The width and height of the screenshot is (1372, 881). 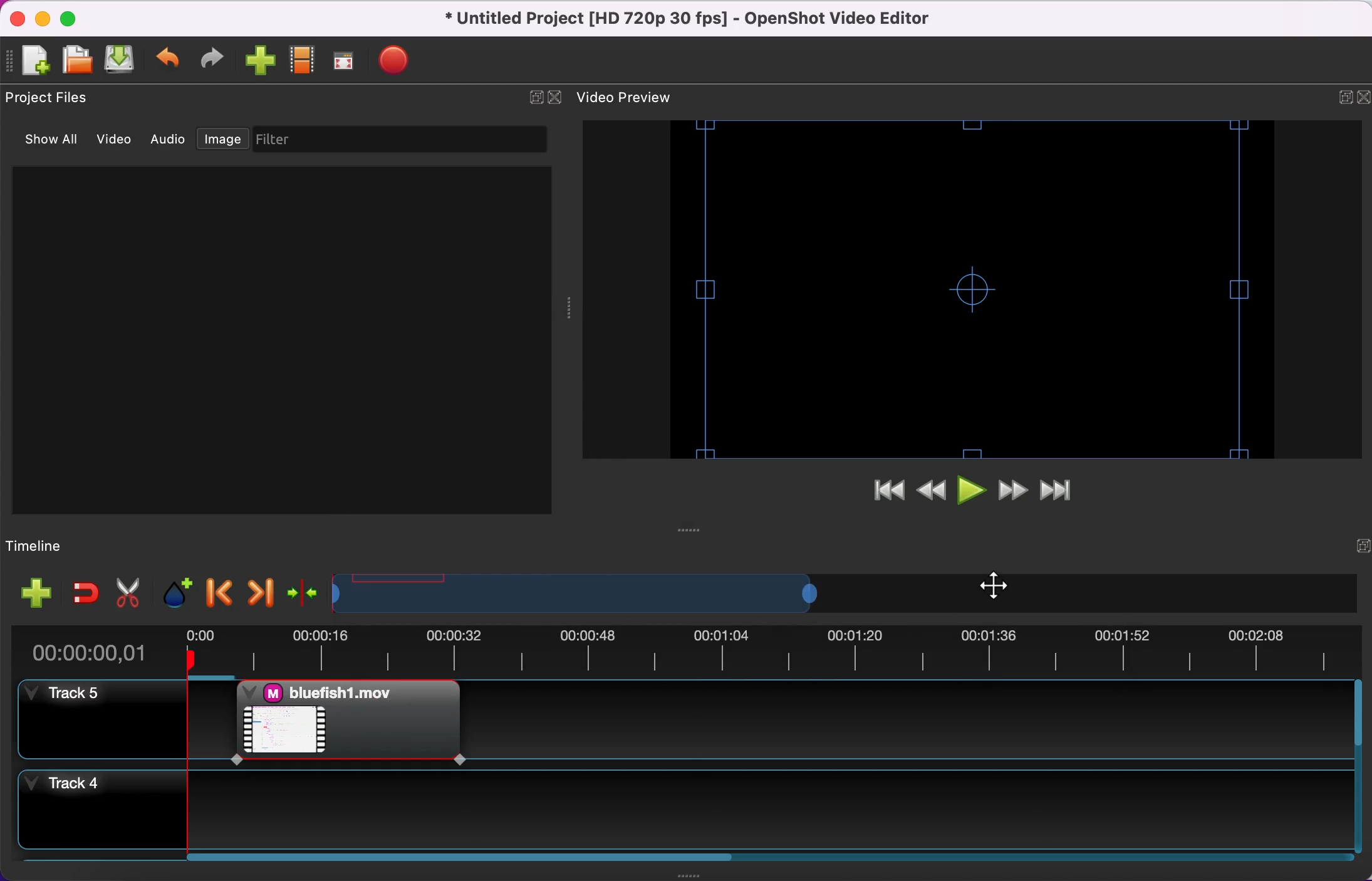 What do you see at coordinates (1333, 98) in the screenshot?
I see `expand/hide` at bounding box center [1333, 98].